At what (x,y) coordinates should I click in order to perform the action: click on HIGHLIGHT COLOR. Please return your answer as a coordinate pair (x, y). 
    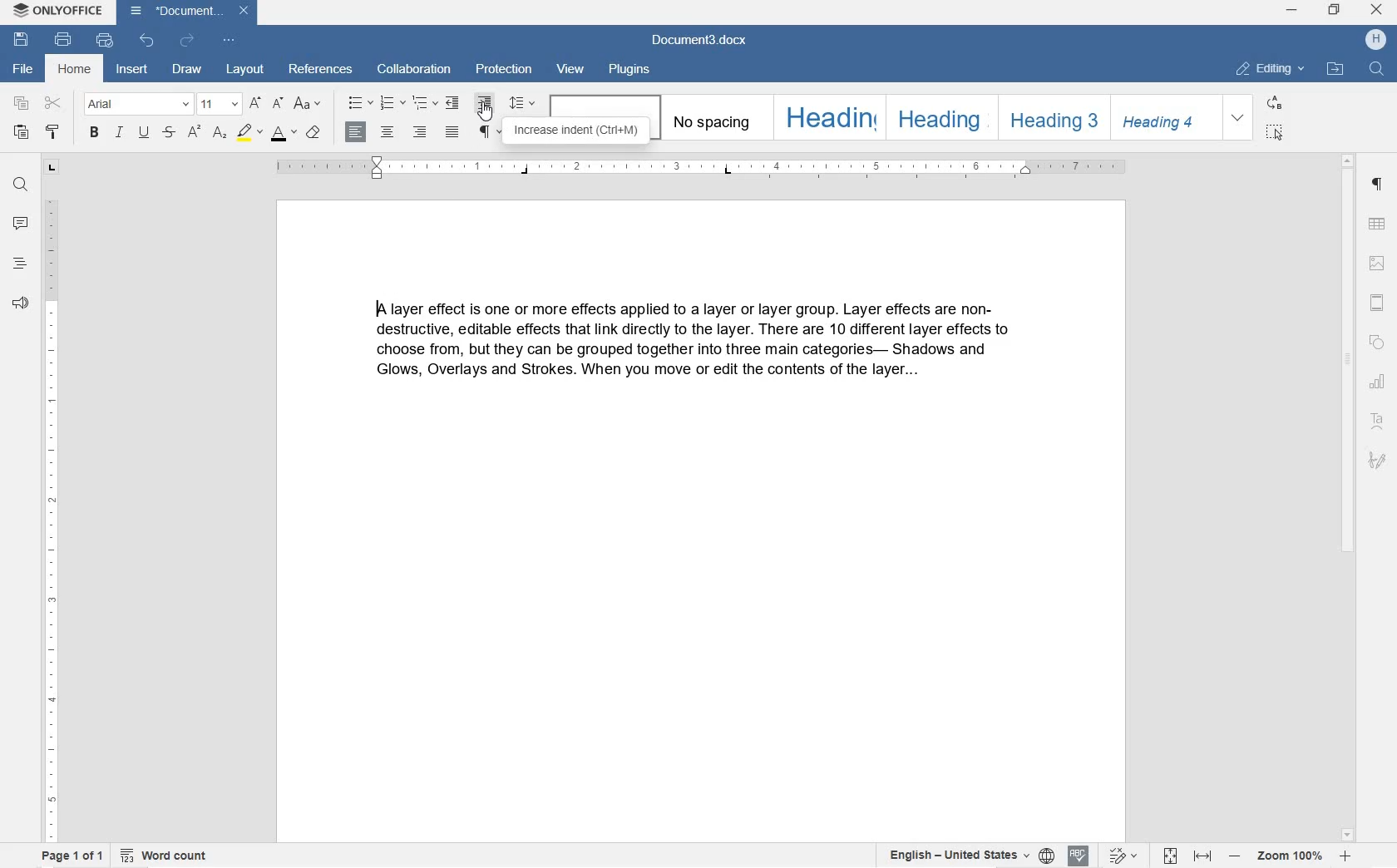
    Looking at the image, I should click on (248, 136).